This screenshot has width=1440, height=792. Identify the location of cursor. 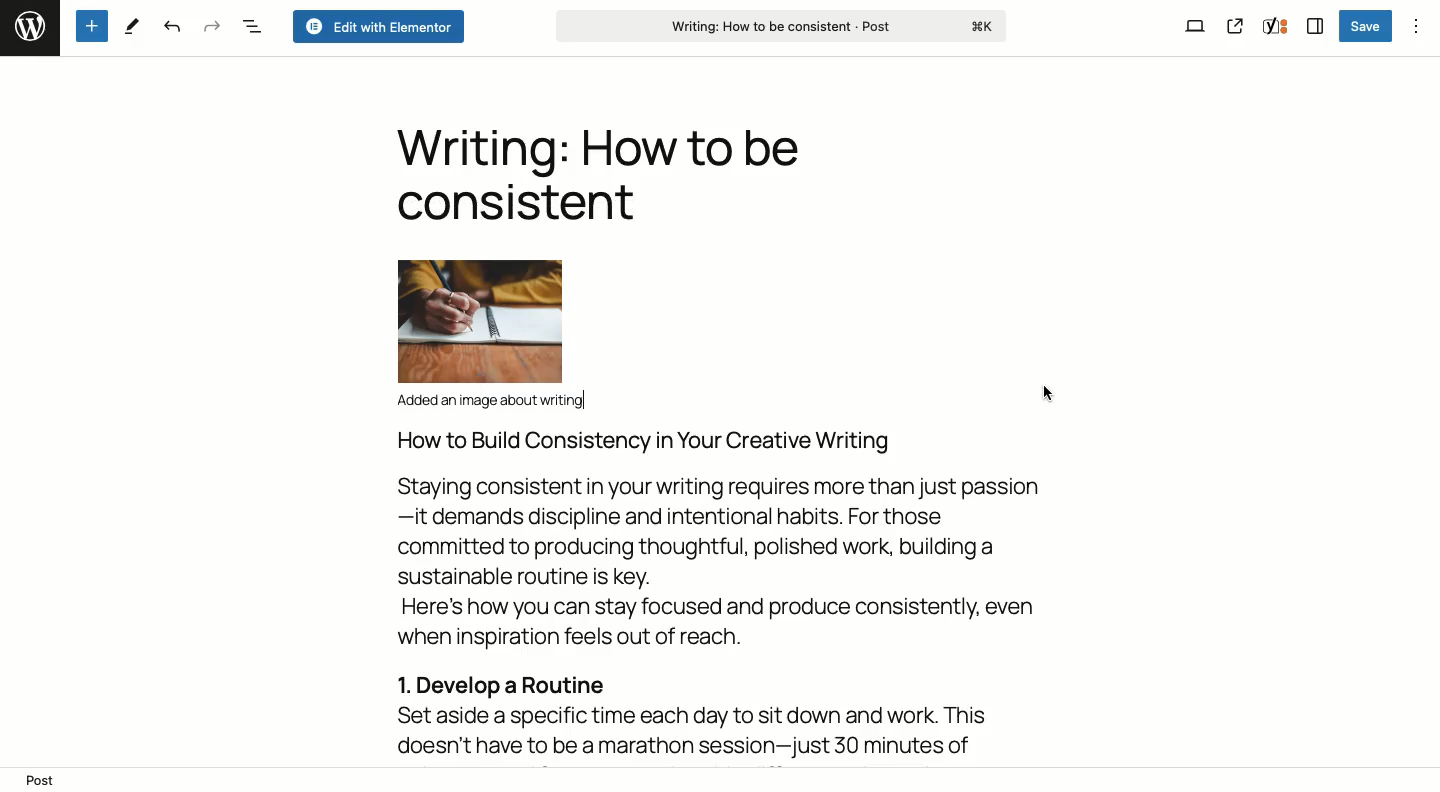
(1044, 394).